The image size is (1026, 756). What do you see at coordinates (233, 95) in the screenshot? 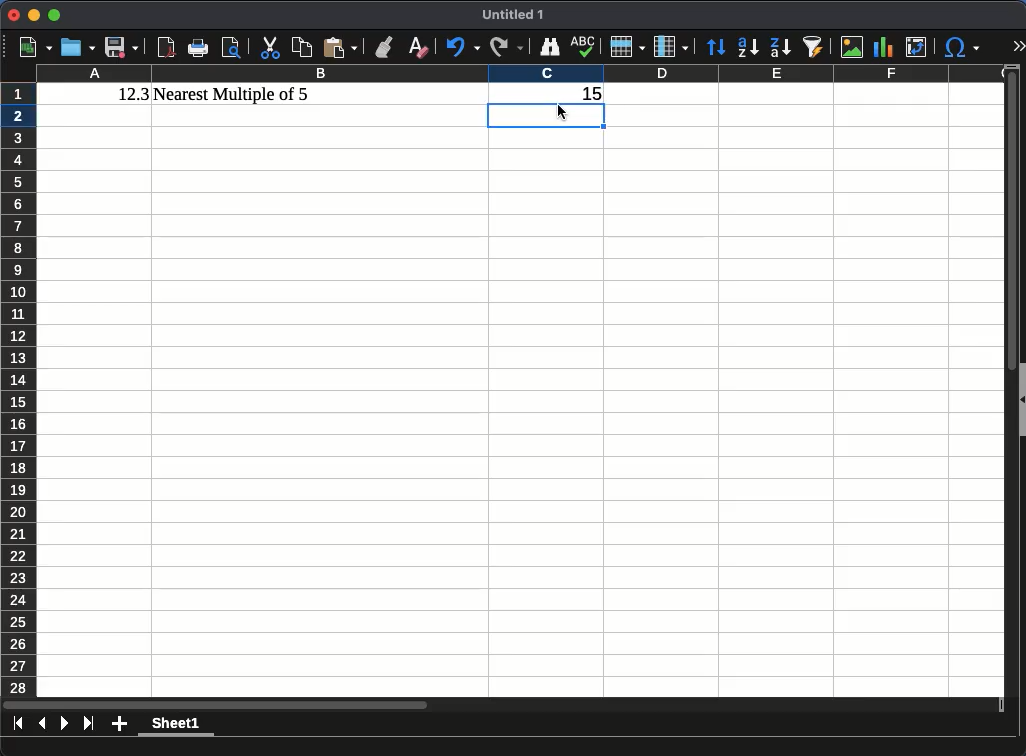
I see `nearest multiple of 5` at bounding box center [233, 95].